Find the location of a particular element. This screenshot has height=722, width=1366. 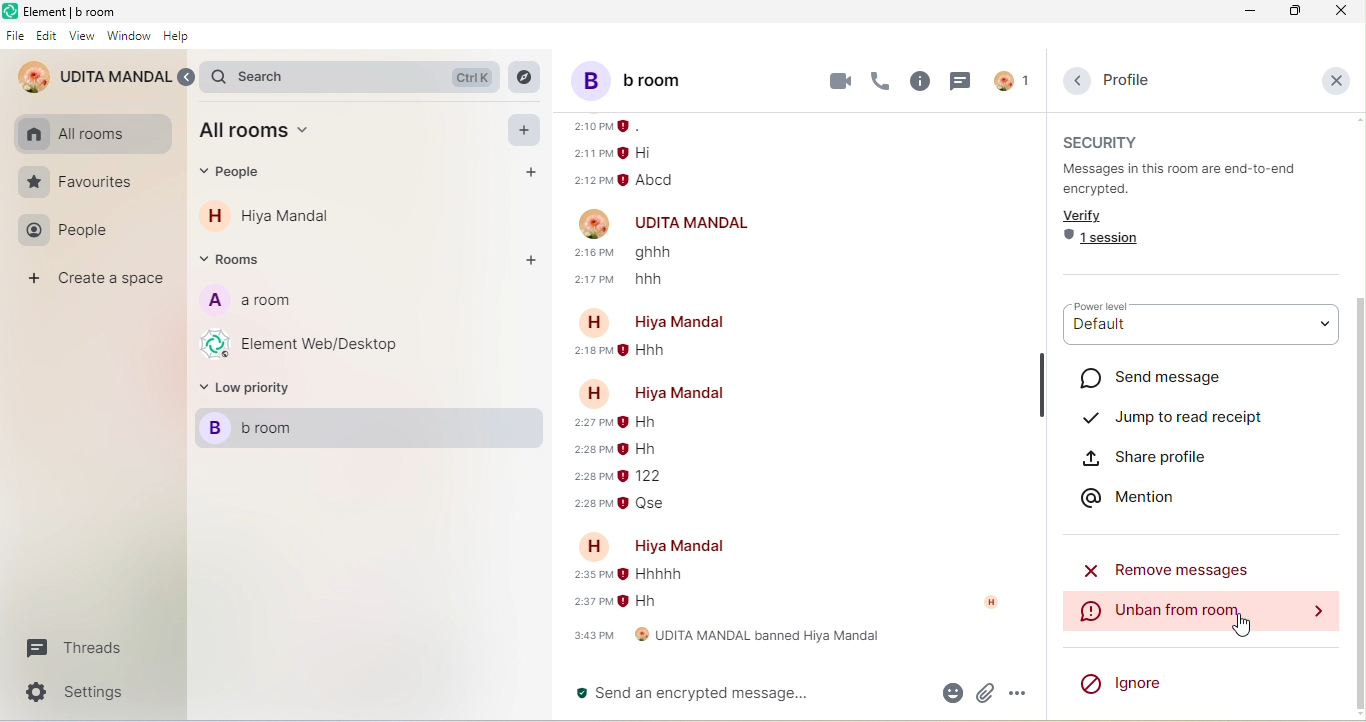

1 session is located at coordinates (1105, 242).